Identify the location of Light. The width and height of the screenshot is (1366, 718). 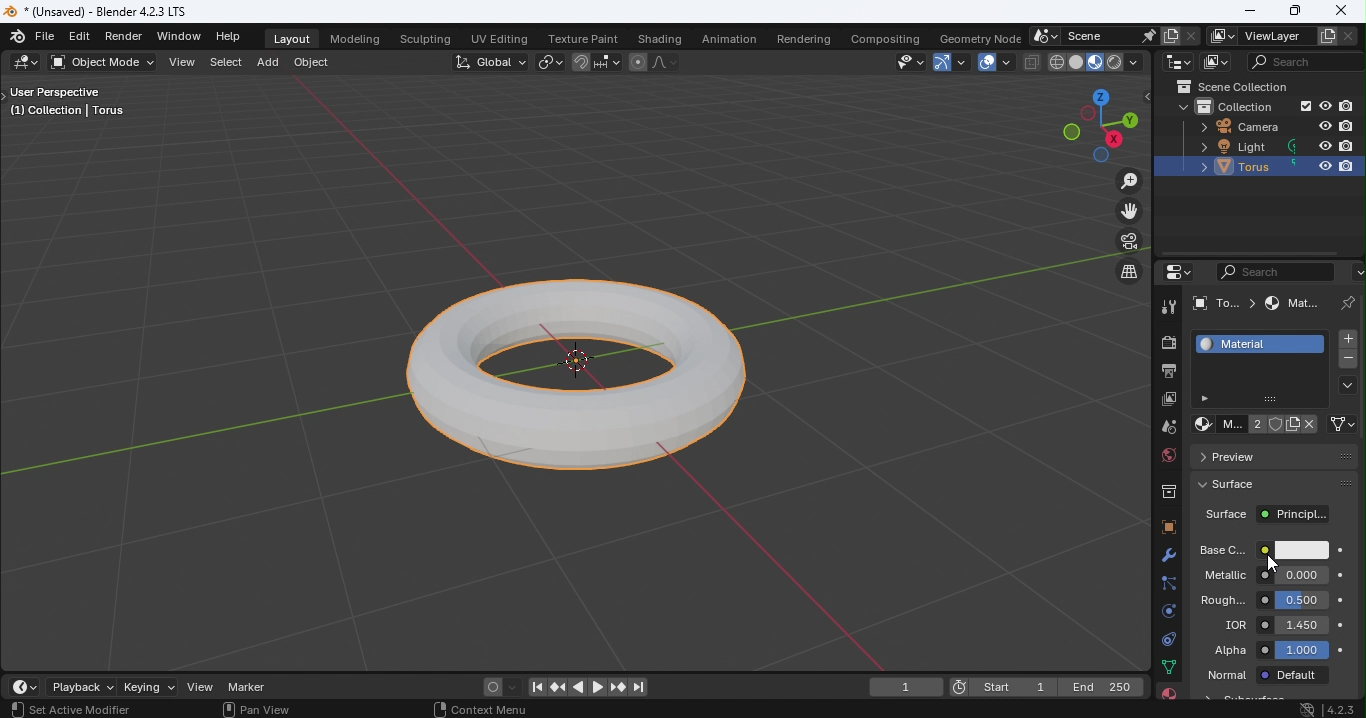
(1219, 147).